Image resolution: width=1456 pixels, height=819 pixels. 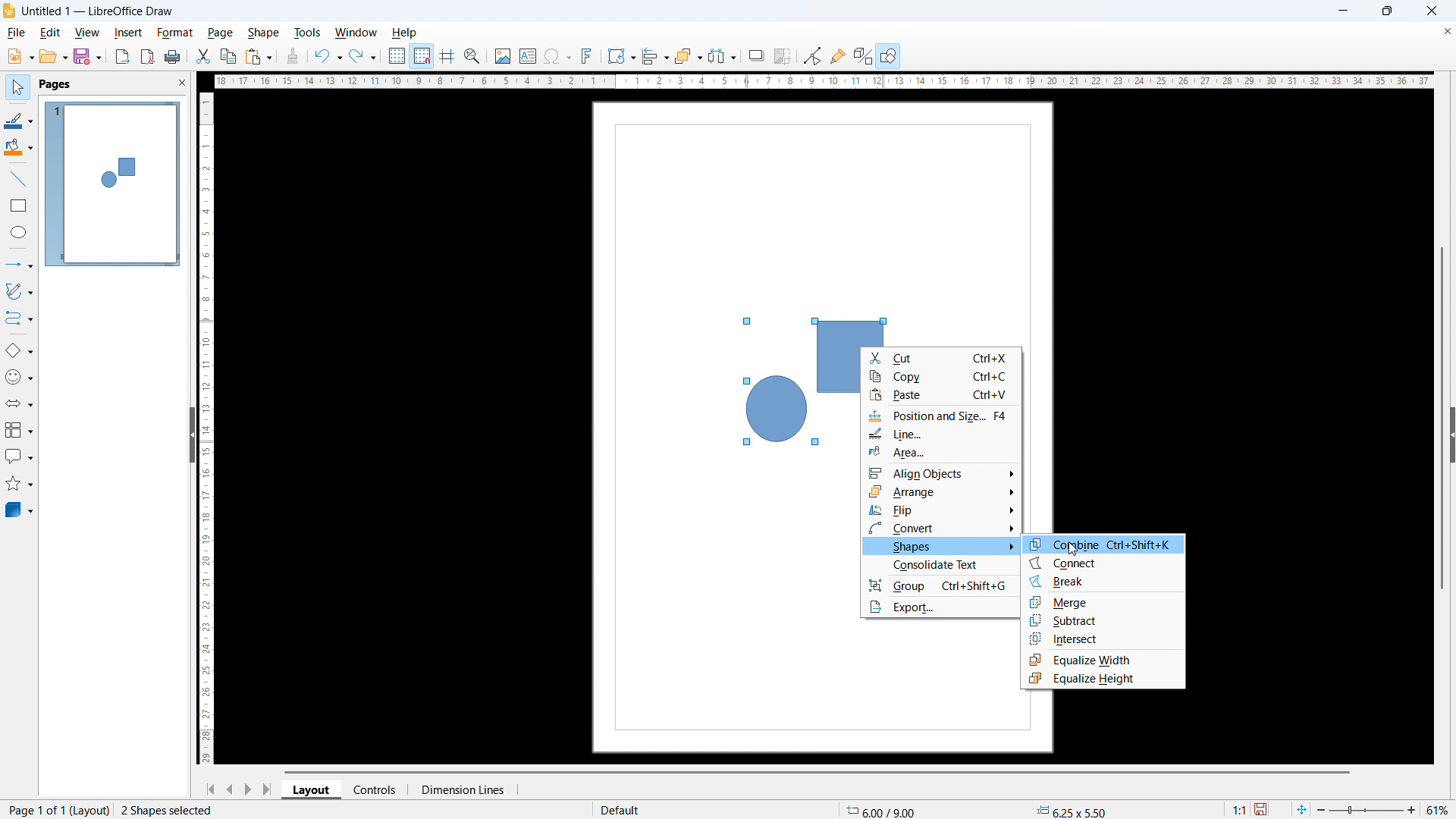 I want to click on close pane, so click(x=181, y=83).